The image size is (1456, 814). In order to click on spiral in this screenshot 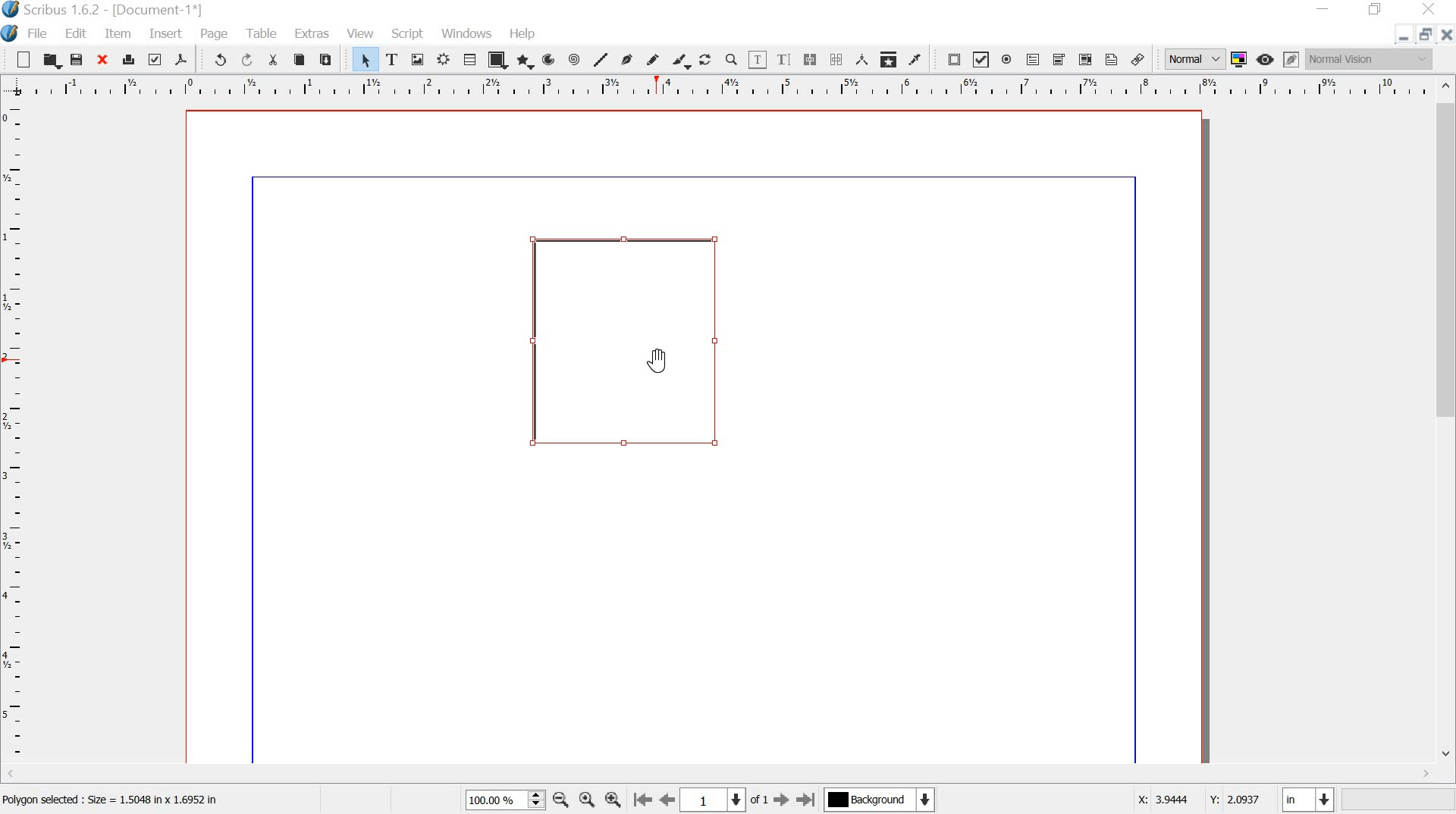, I will do `click(577, 59)`.